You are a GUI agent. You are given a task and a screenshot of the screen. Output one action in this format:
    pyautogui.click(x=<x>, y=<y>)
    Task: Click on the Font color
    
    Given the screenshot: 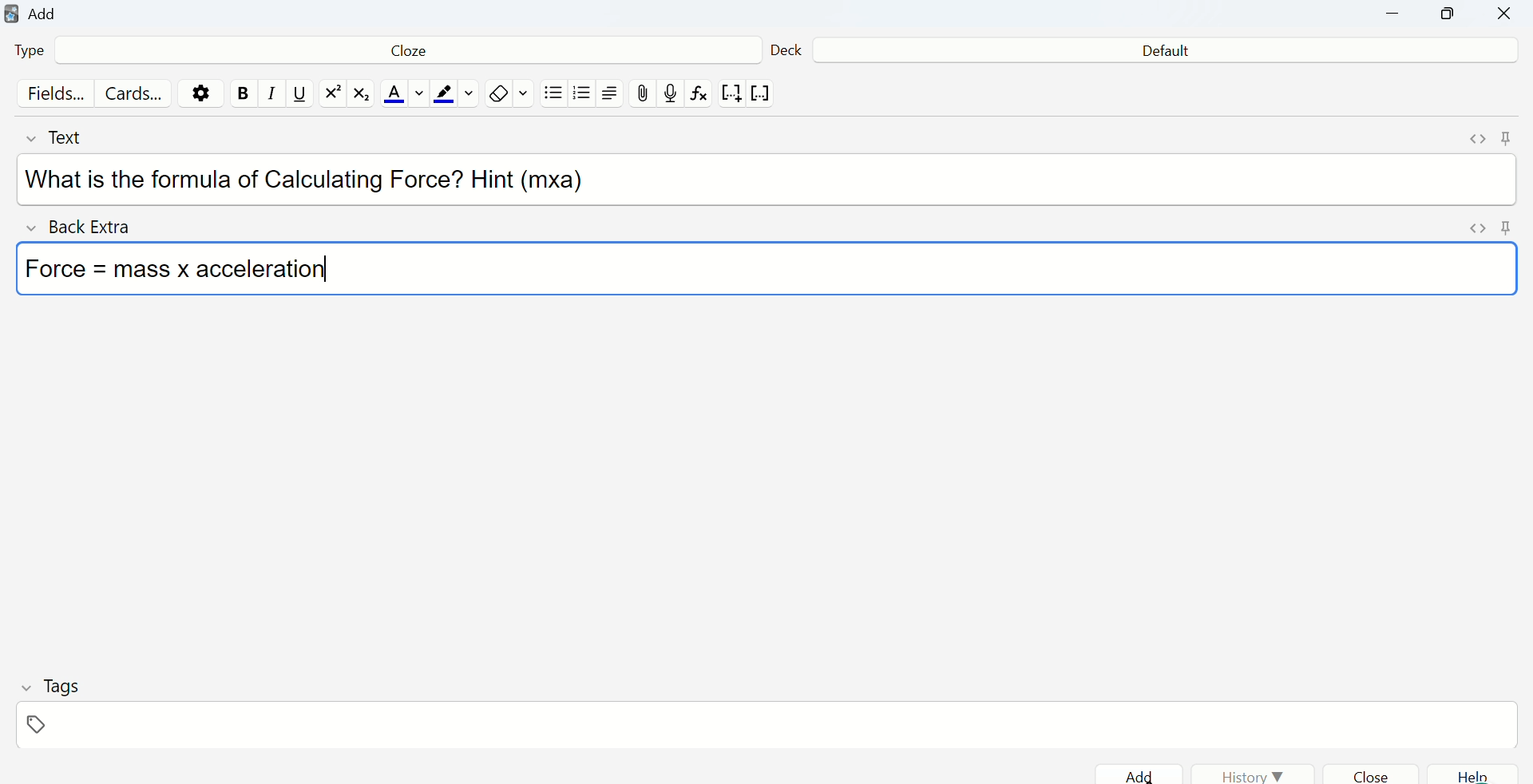 What is the action you would take?
    pyautogui.click(x=401, y=95)
    